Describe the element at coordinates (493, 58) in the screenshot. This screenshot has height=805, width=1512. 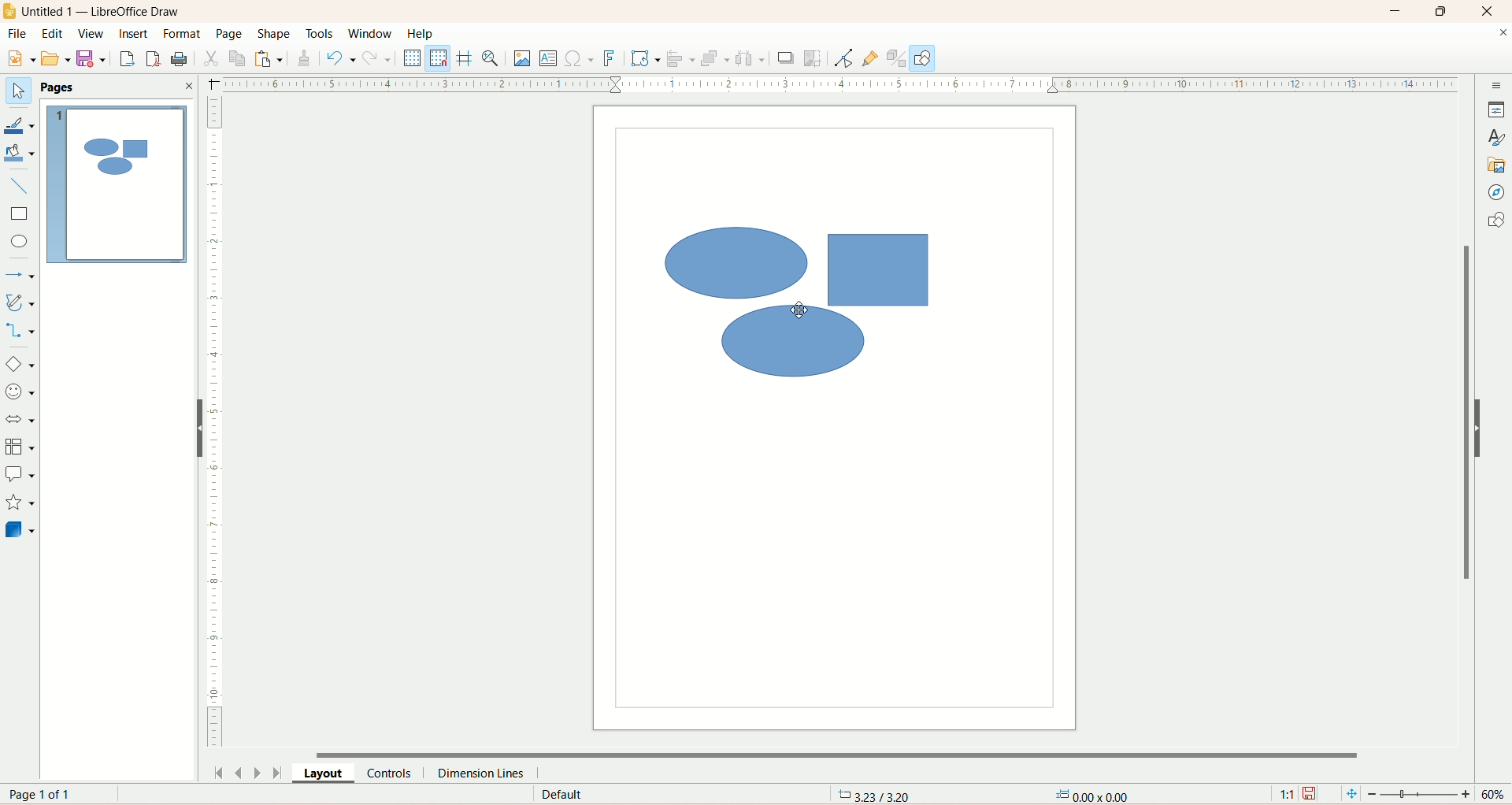
I see `zoom and pan` at that location.